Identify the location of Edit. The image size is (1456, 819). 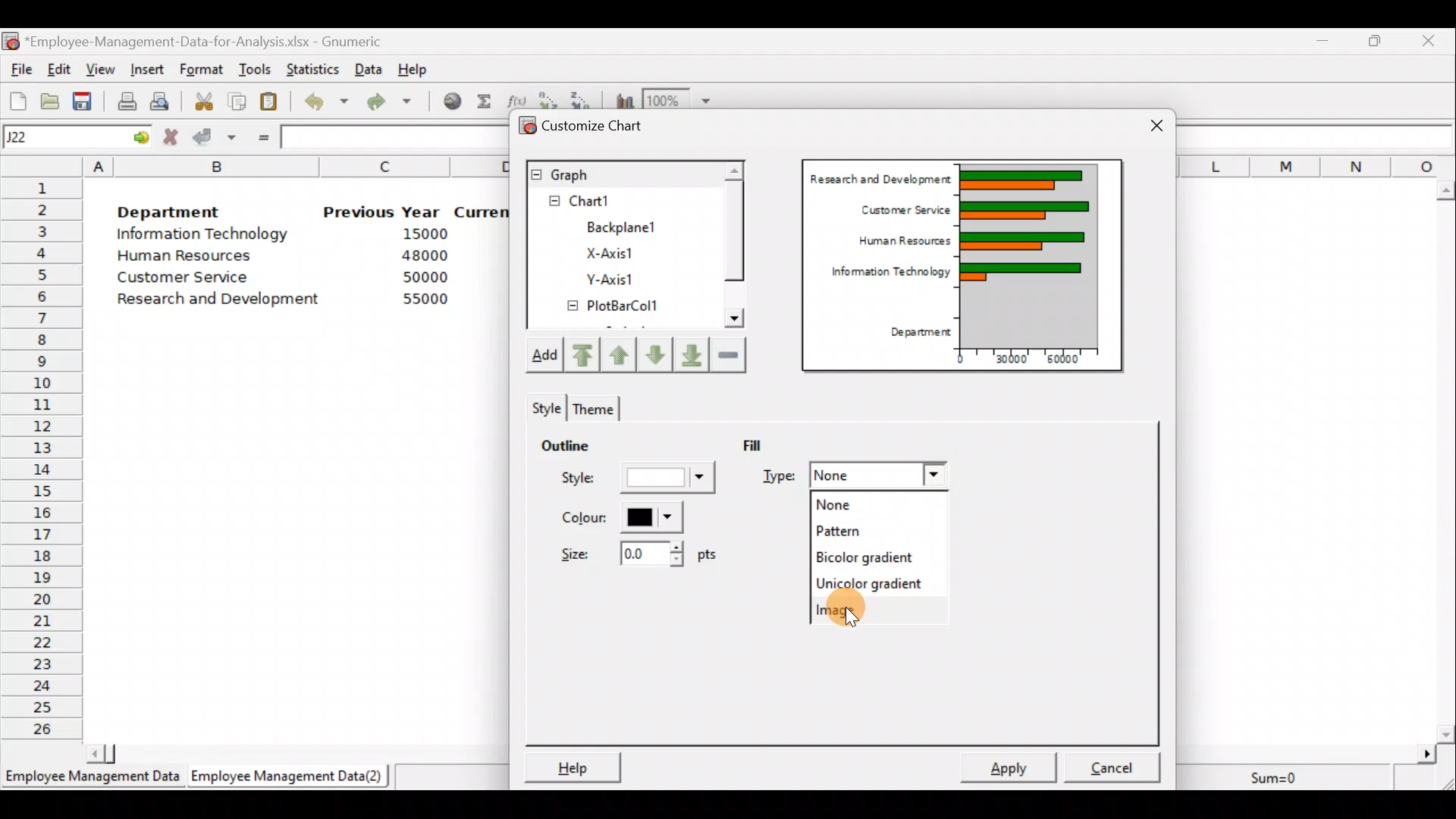
(61, 68).